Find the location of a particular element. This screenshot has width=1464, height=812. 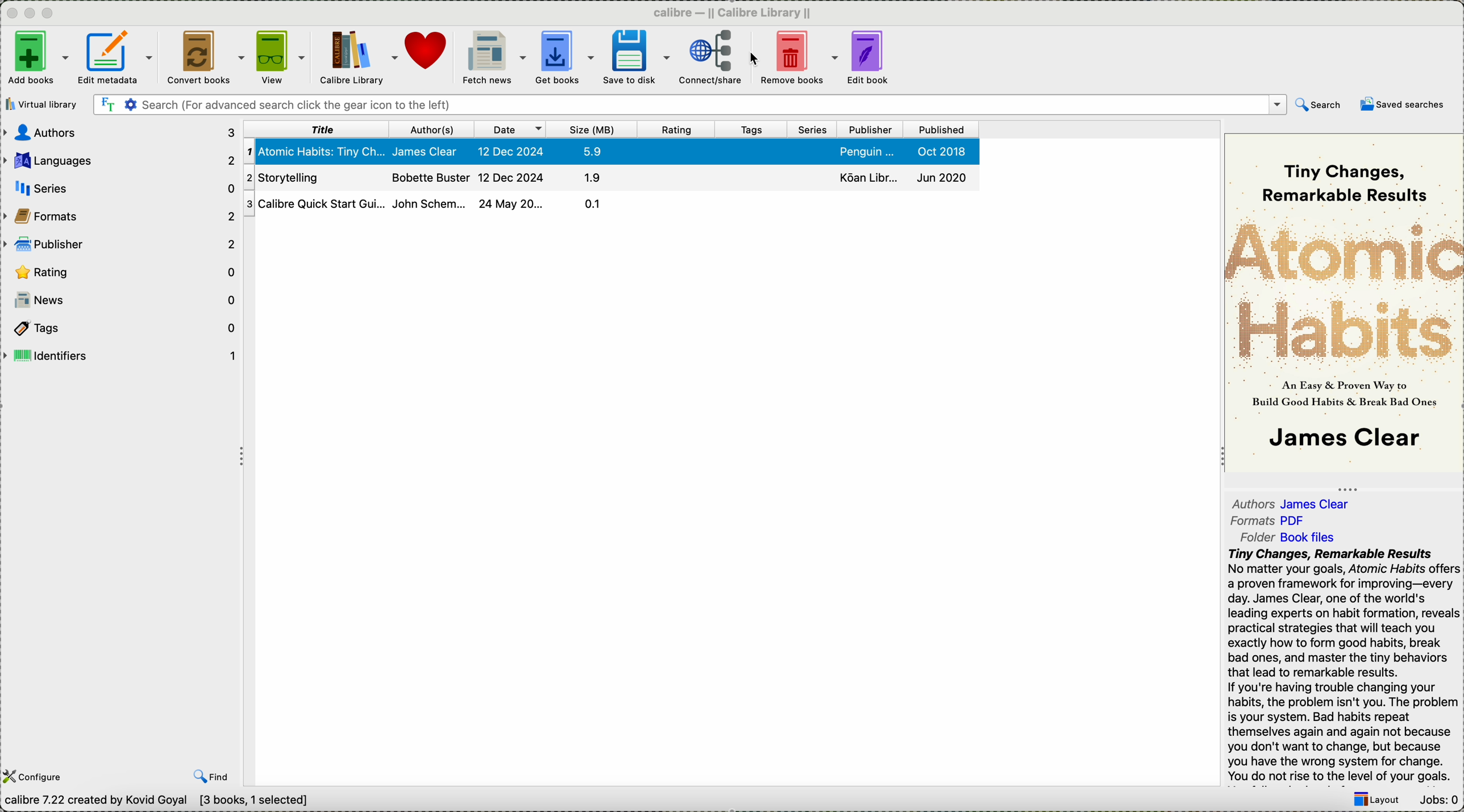

publisher is located at coordinates (873, 130).